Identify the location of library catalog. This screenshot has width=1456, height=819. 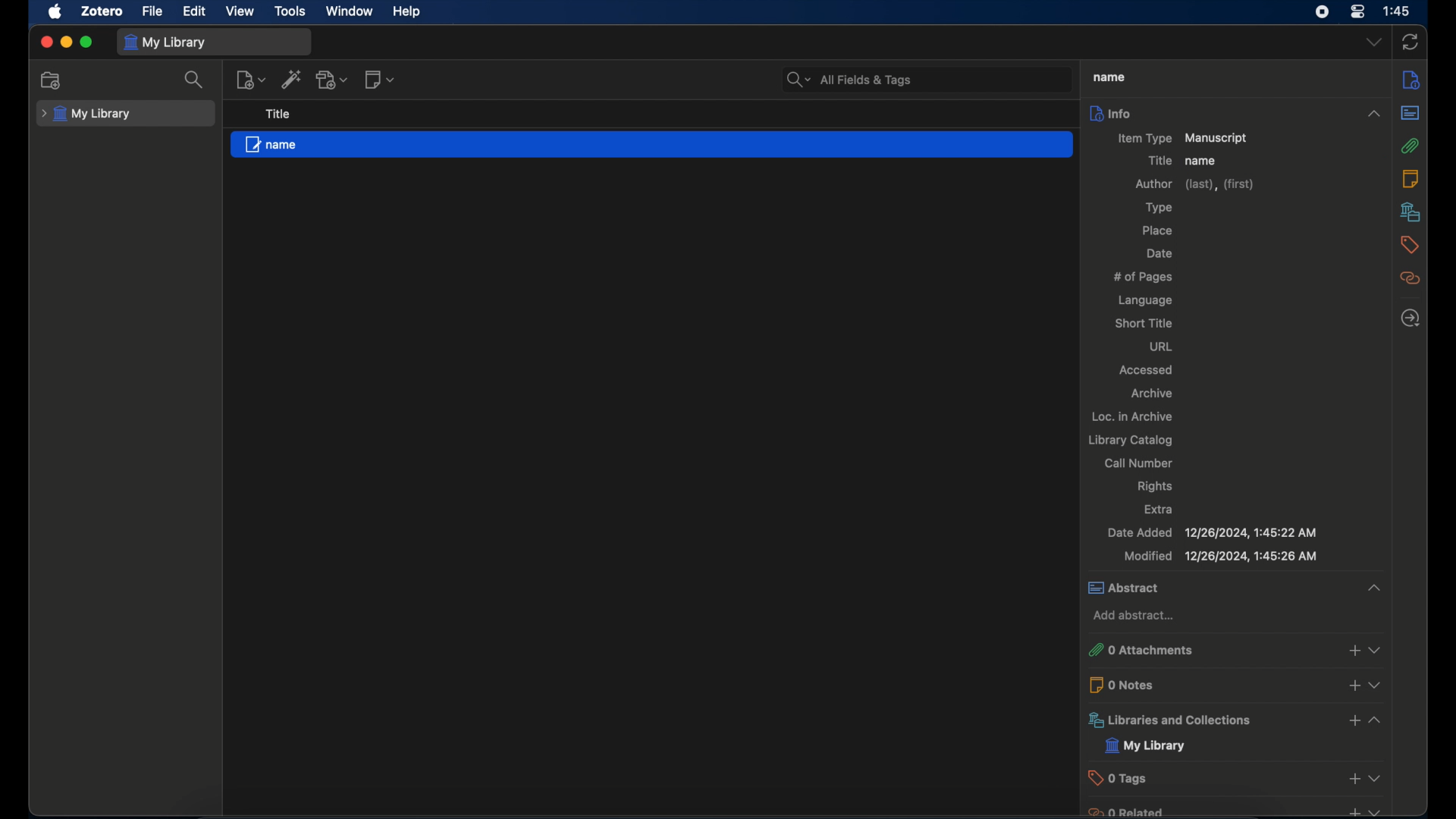
(1130, 441).